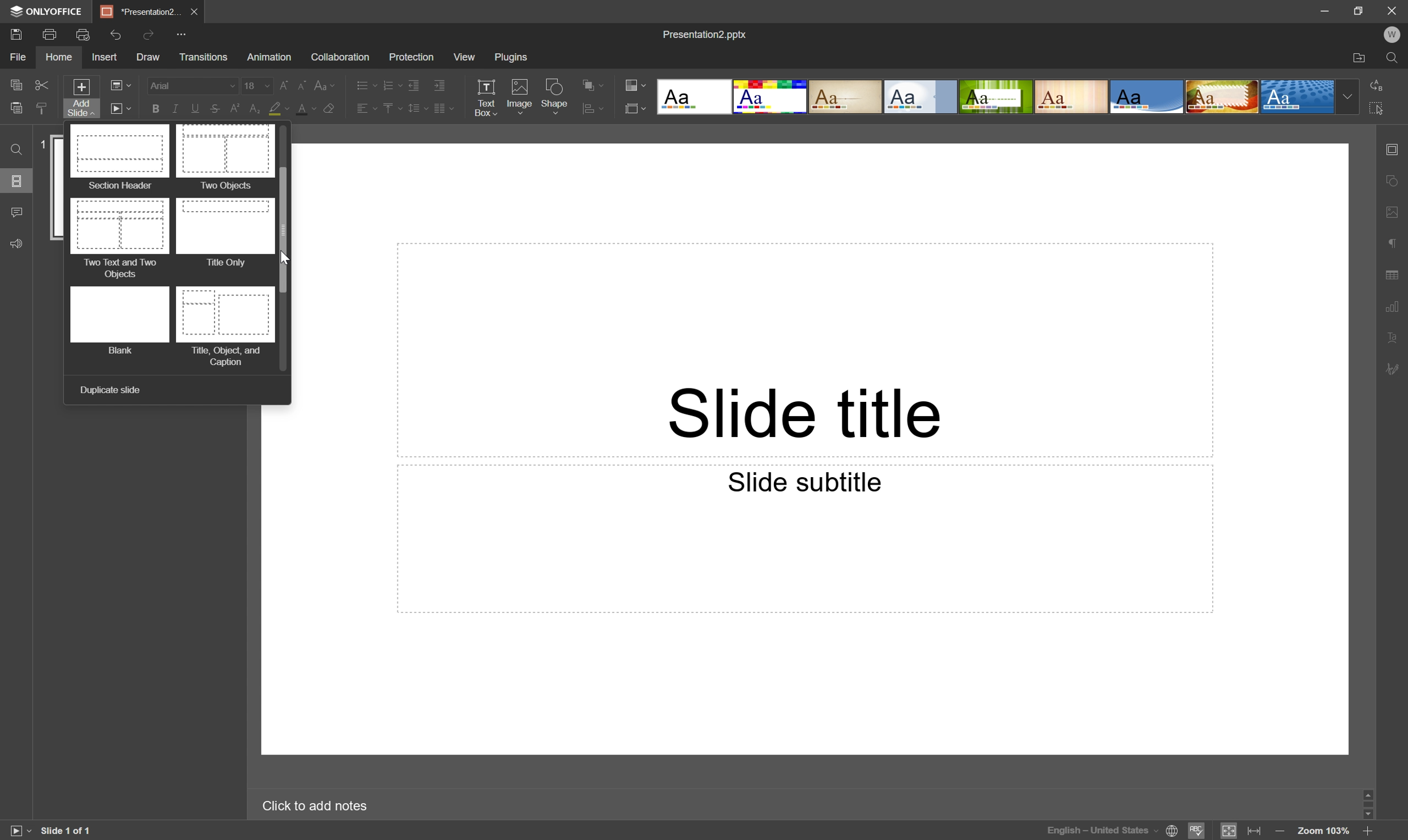 Image resolution: width=1408 pixels, height=840 pixels. I want to click on Type of slides, so click(996, 96).